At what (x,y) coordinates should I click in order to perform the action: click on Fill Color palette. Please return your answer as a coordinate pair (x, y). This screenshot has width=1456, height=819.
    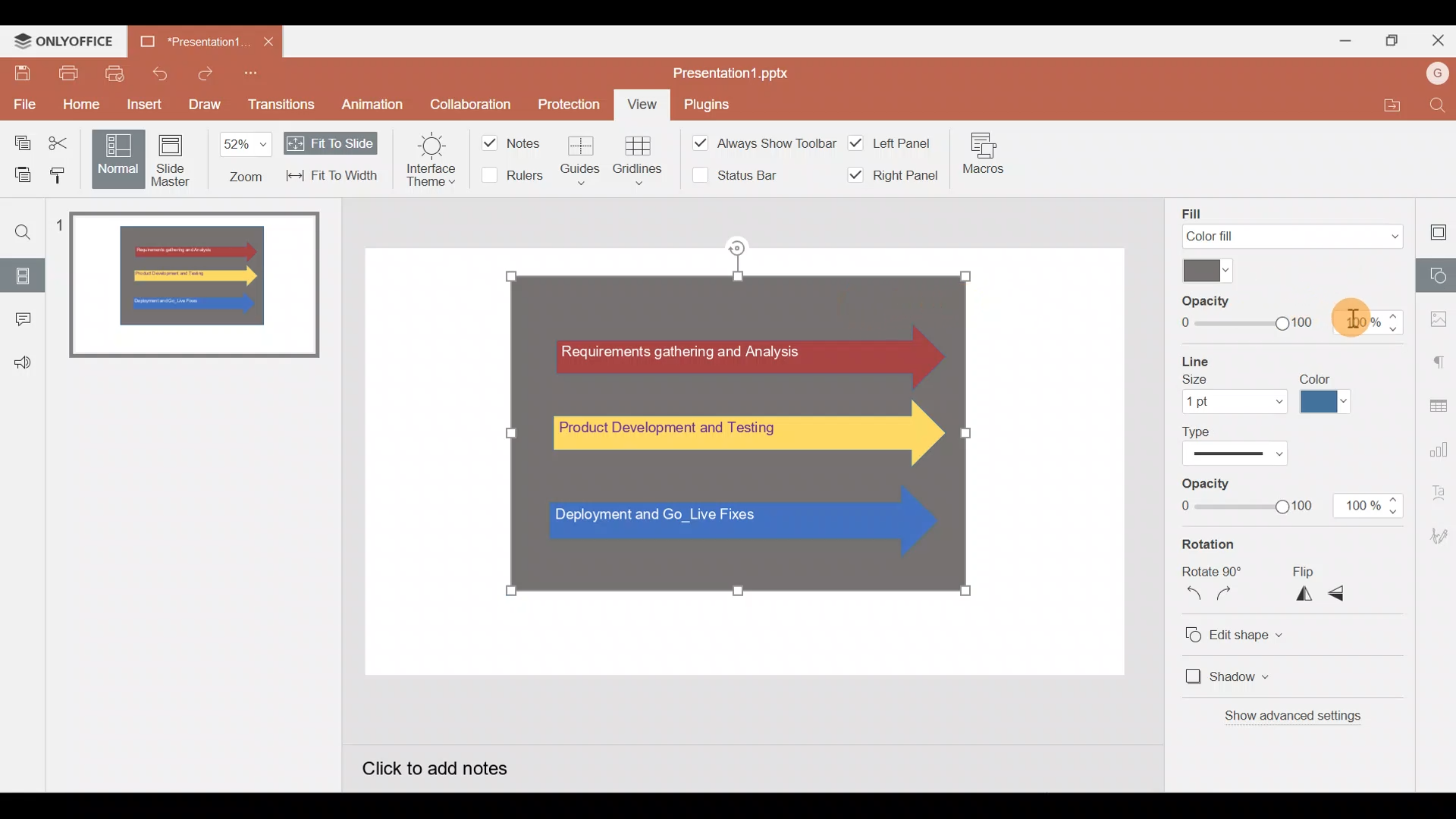
    Looking at the image, I should click on (1203, 270).